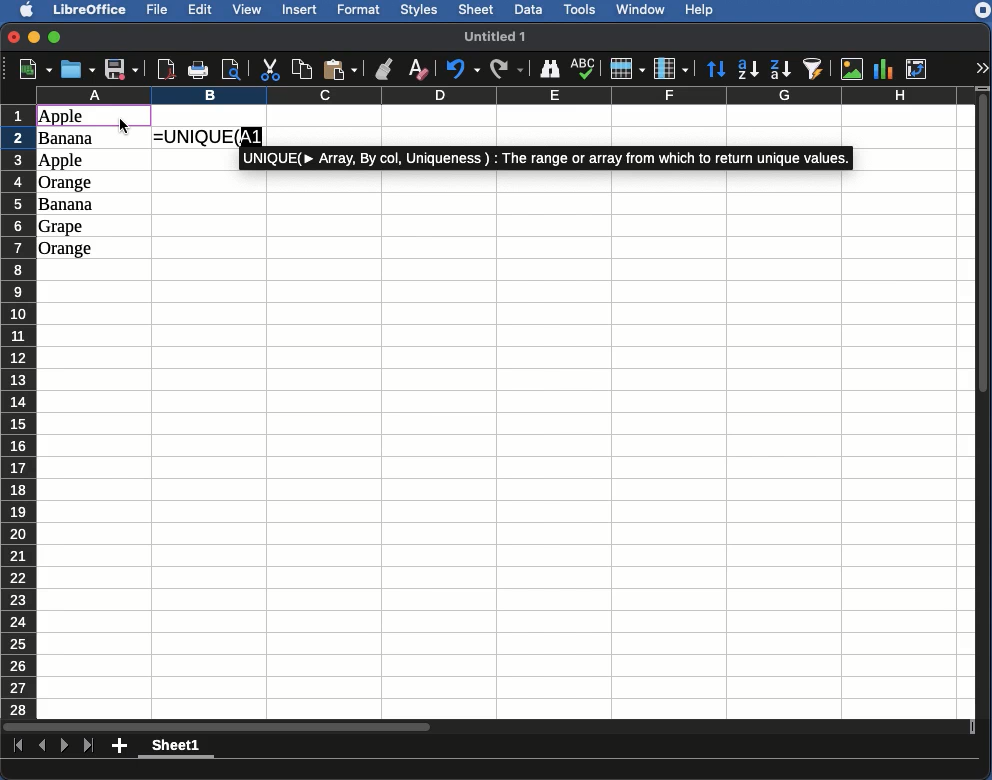 This screenshot has width=992, height=780. What do you see at coordinates (120, 748) in the screenshot?
I see `Add sheet` at bounding box center [120, 748].